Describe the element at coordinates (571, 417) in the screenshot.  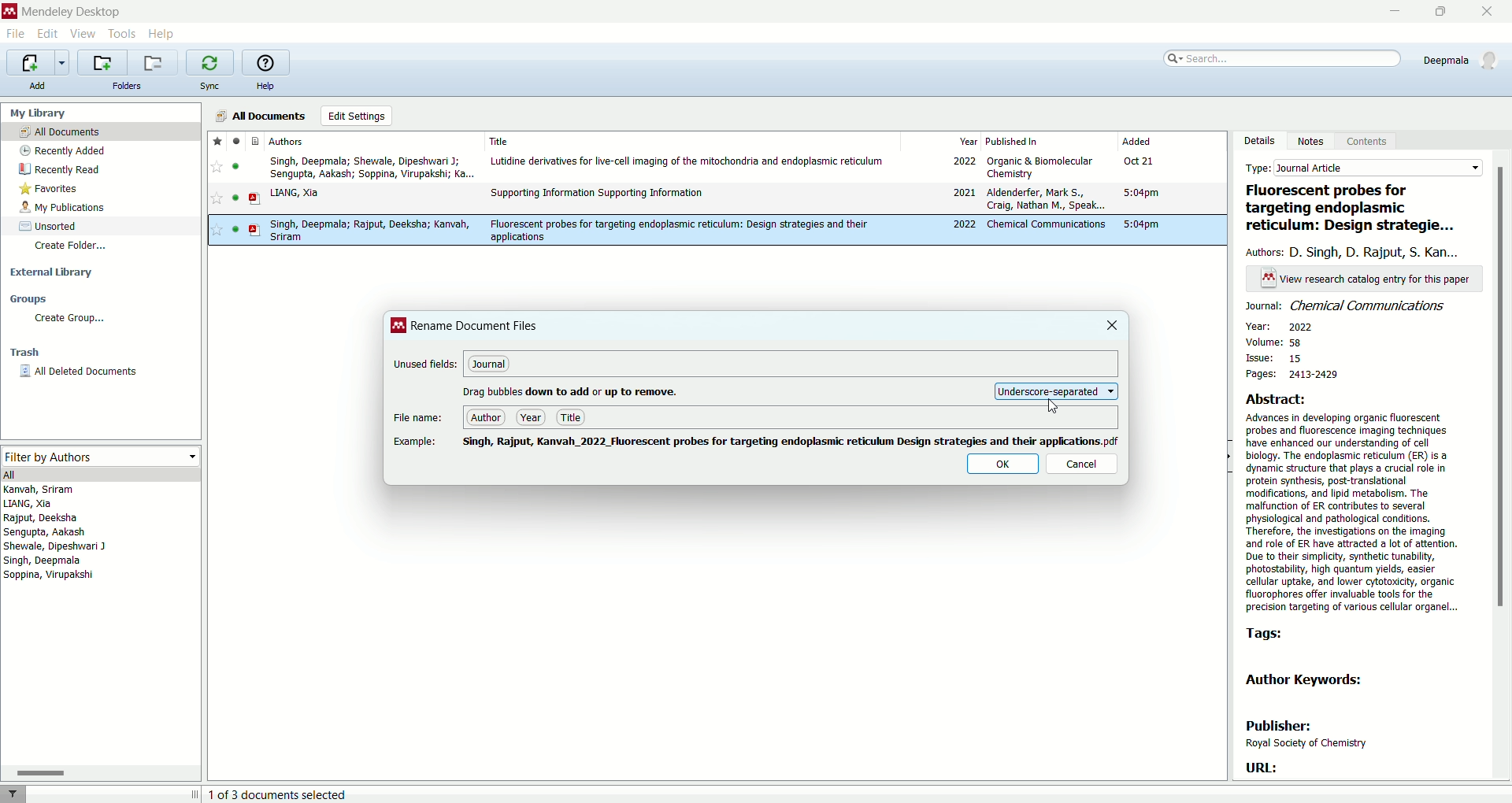
I see `title` at that location.